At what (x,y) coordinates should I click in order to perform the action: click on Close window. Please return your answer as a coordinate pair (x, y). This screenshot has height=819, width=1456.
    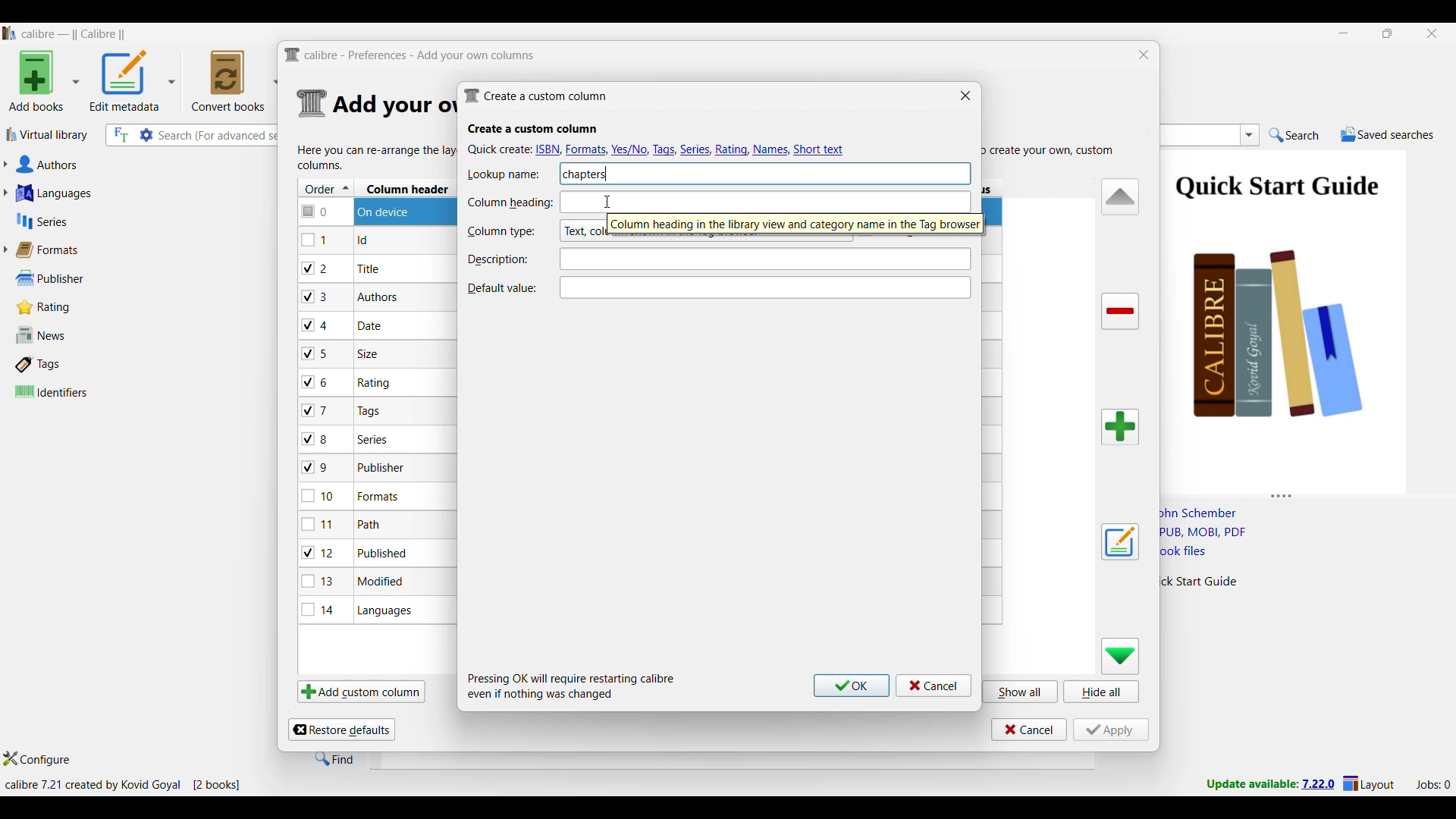
    Looking at the image, I should click on (965, 95).